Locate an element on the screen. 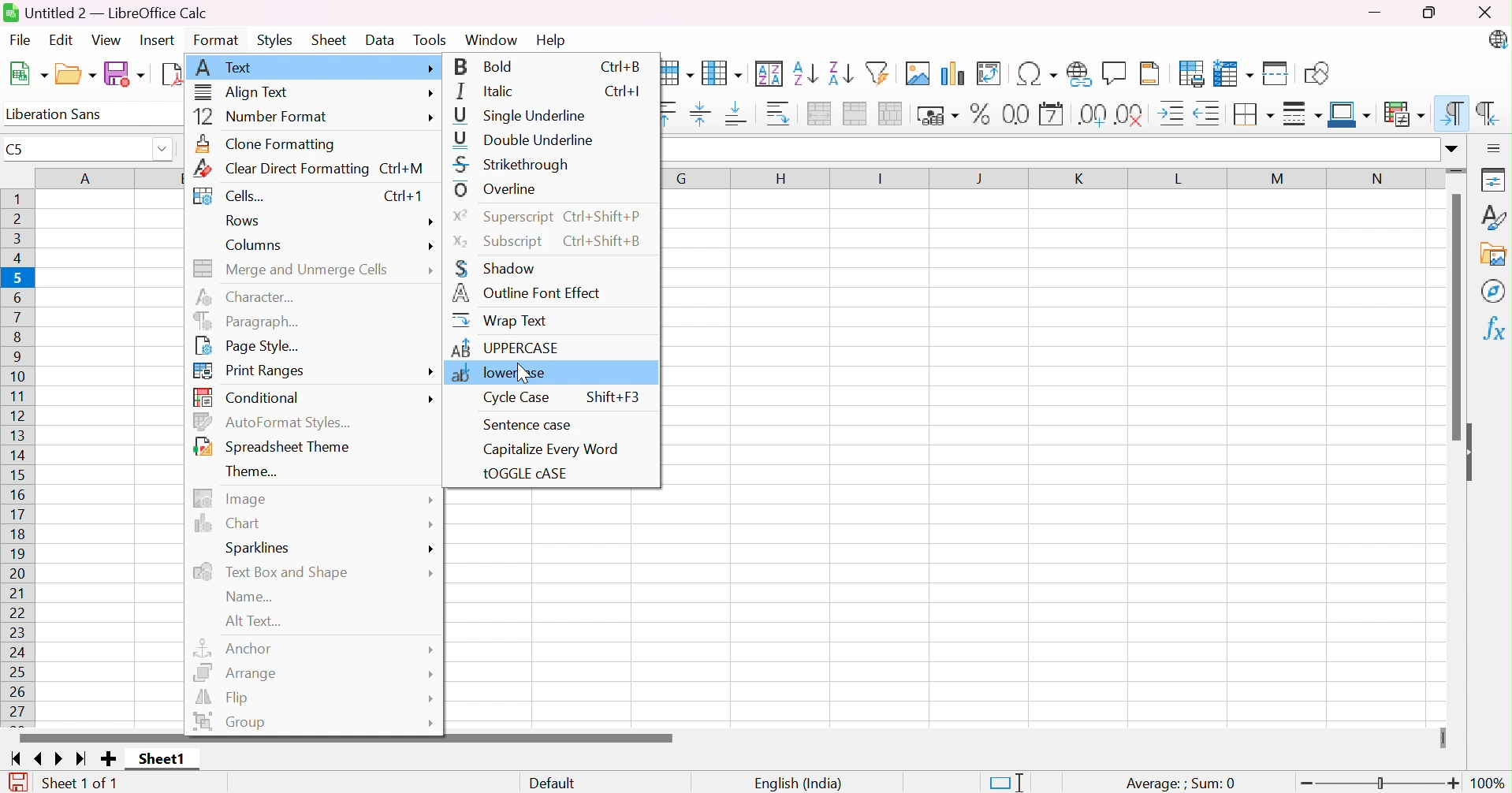 The height and width of the screenshot is (793, 1512). Conditional is located at coordinates (246, 396).